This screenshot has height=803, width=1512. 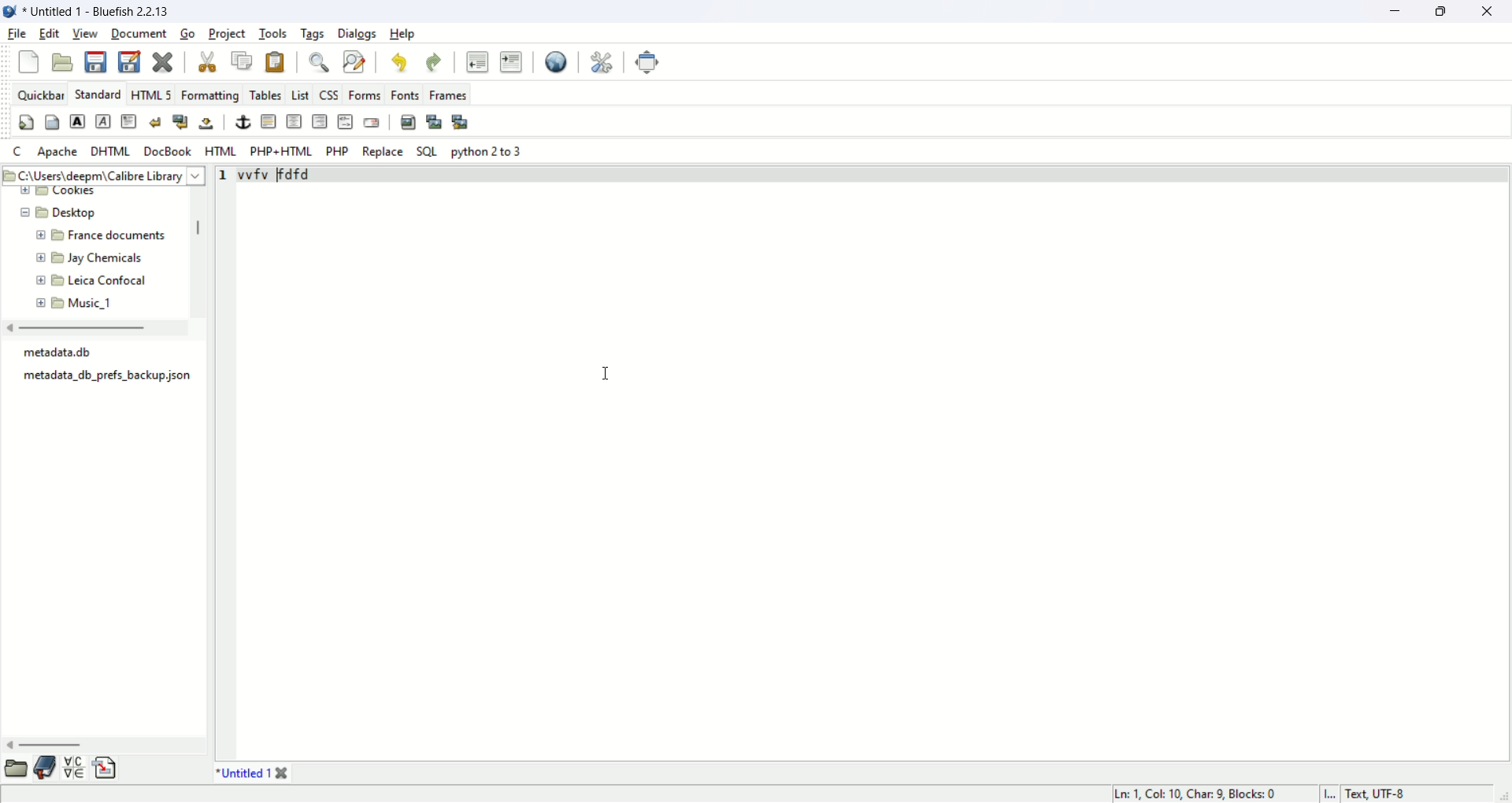 What do you see at coordinates (153, 94) in the screenshot?
I see `HTML5` at bounding box center [153, 94].